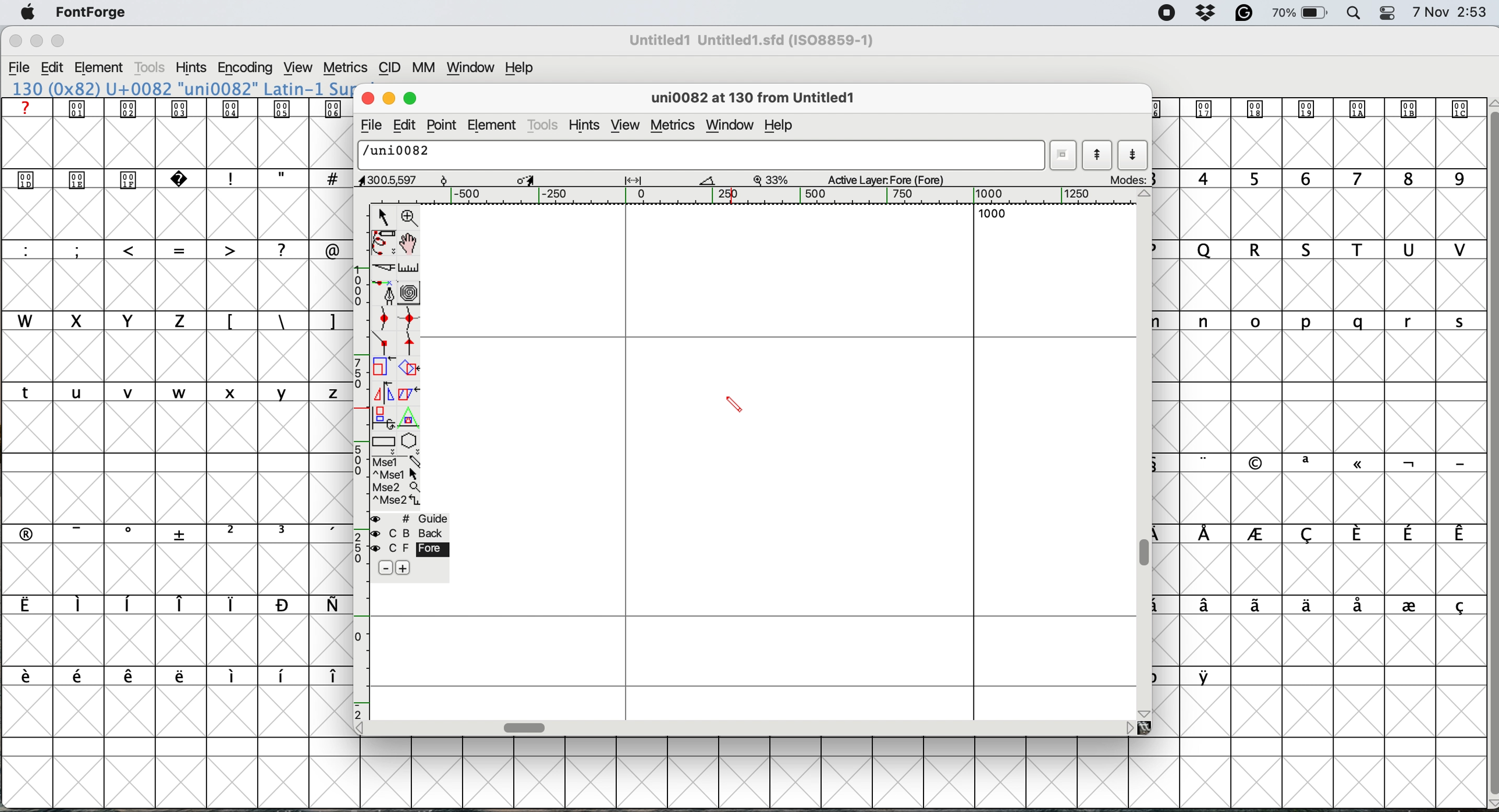 This screenshot has height=812, width=1499. Describe the element at coordinates (784, 126) in the screenshot. I see `help` at that location.